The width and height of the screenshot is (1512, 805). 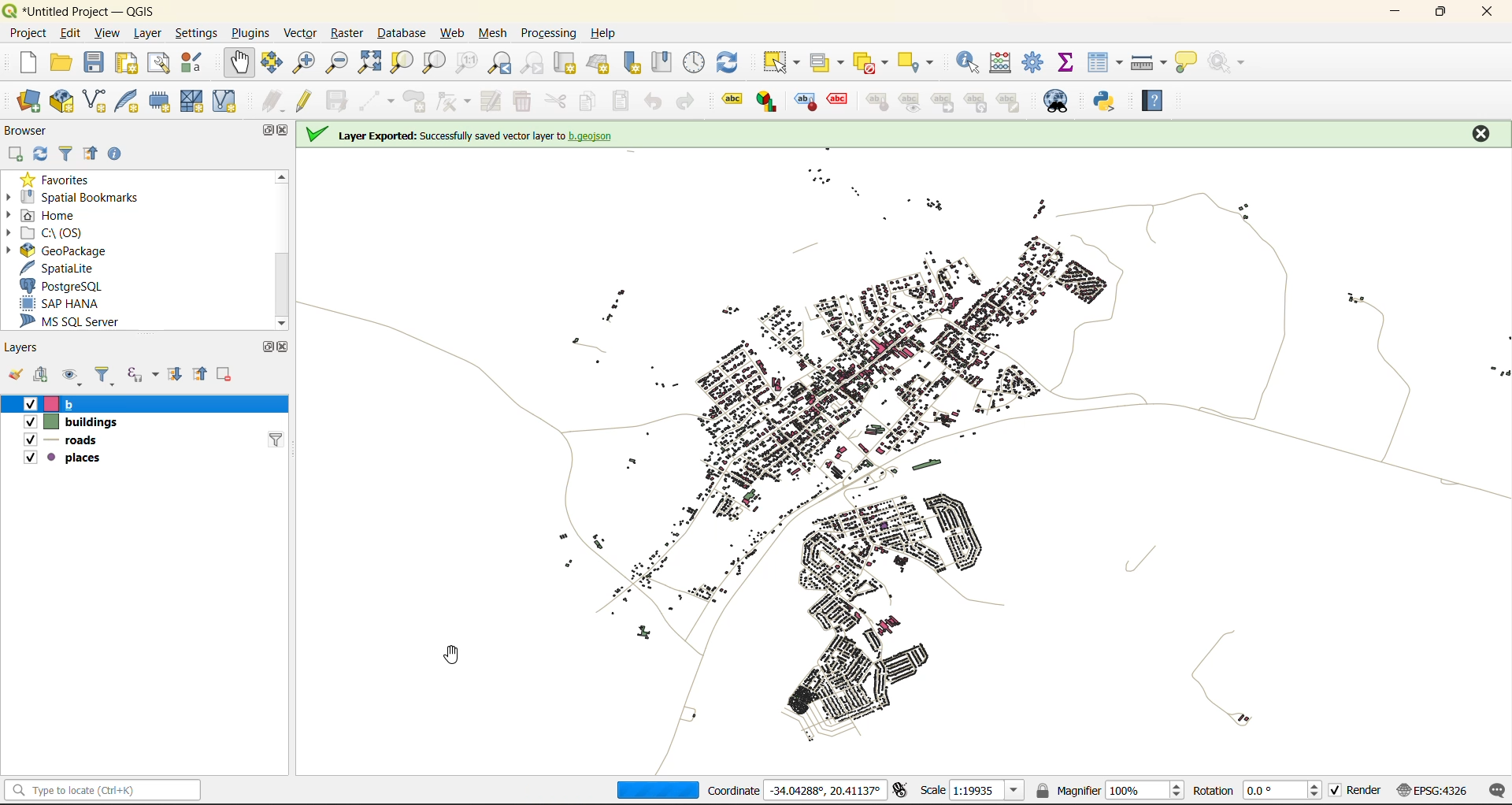 I want to click on scale, so click(x=973, y=791).